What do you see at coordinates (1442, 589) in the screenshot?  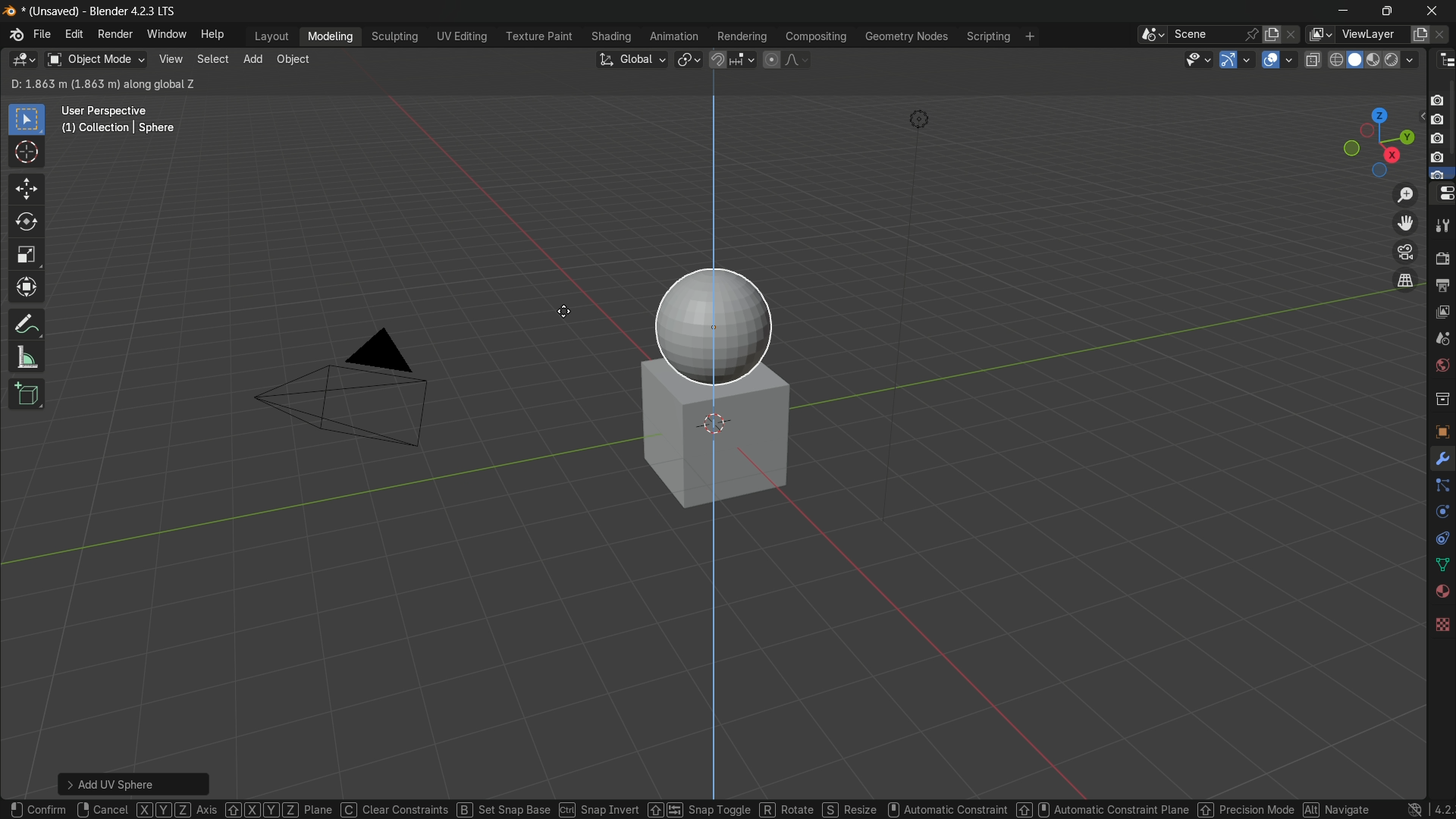 I see `Vertex Groups` at bounding box center [1442, 589].